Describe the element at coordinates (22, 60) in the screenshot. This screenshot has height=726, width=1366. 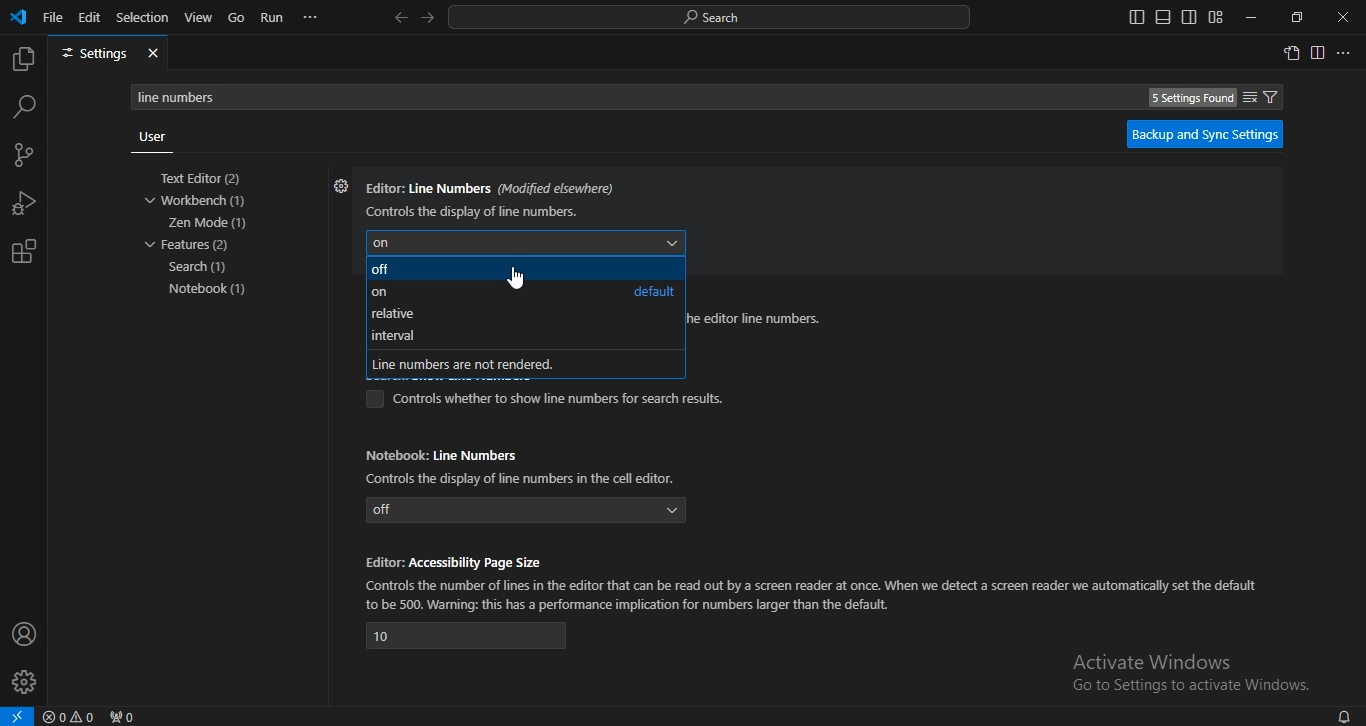
I see `explorer` at that location.